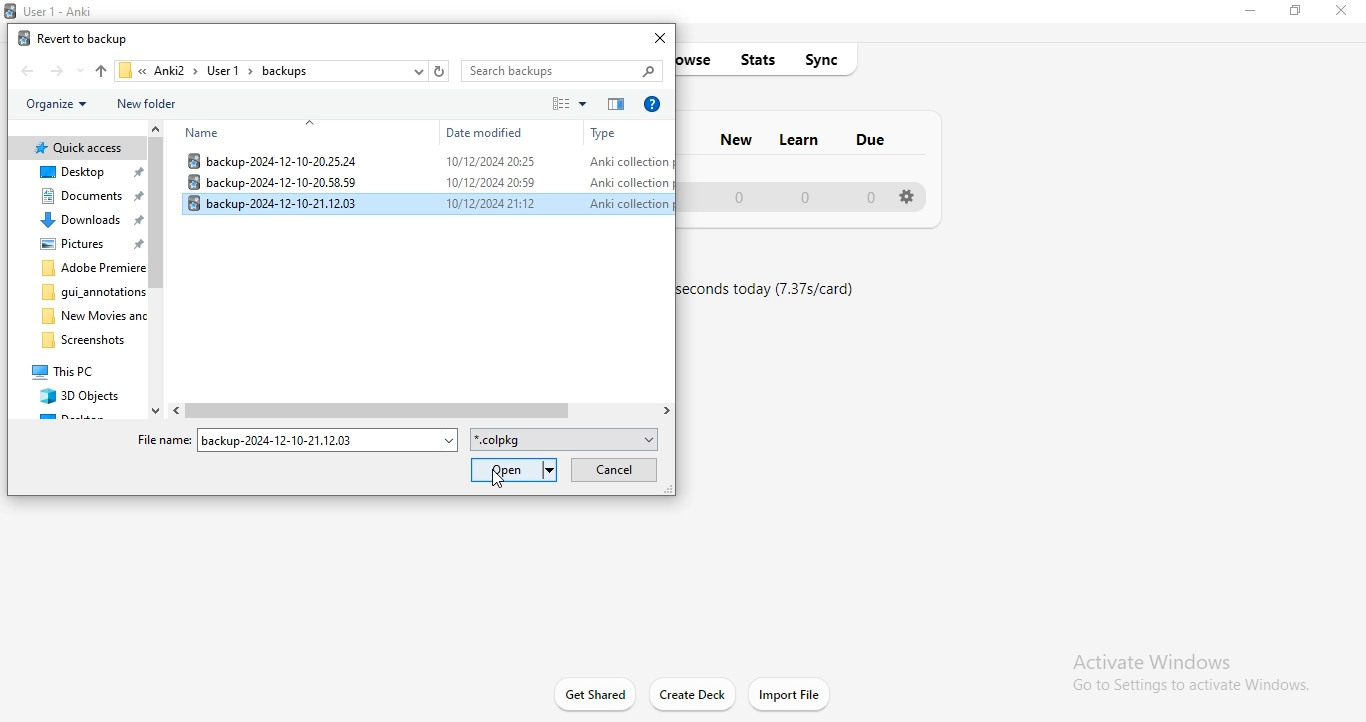 This screenshot has height=722, width=1366. Describe the element at coordinates (614, 470) in the screenshot. I see `cancel` at that location.